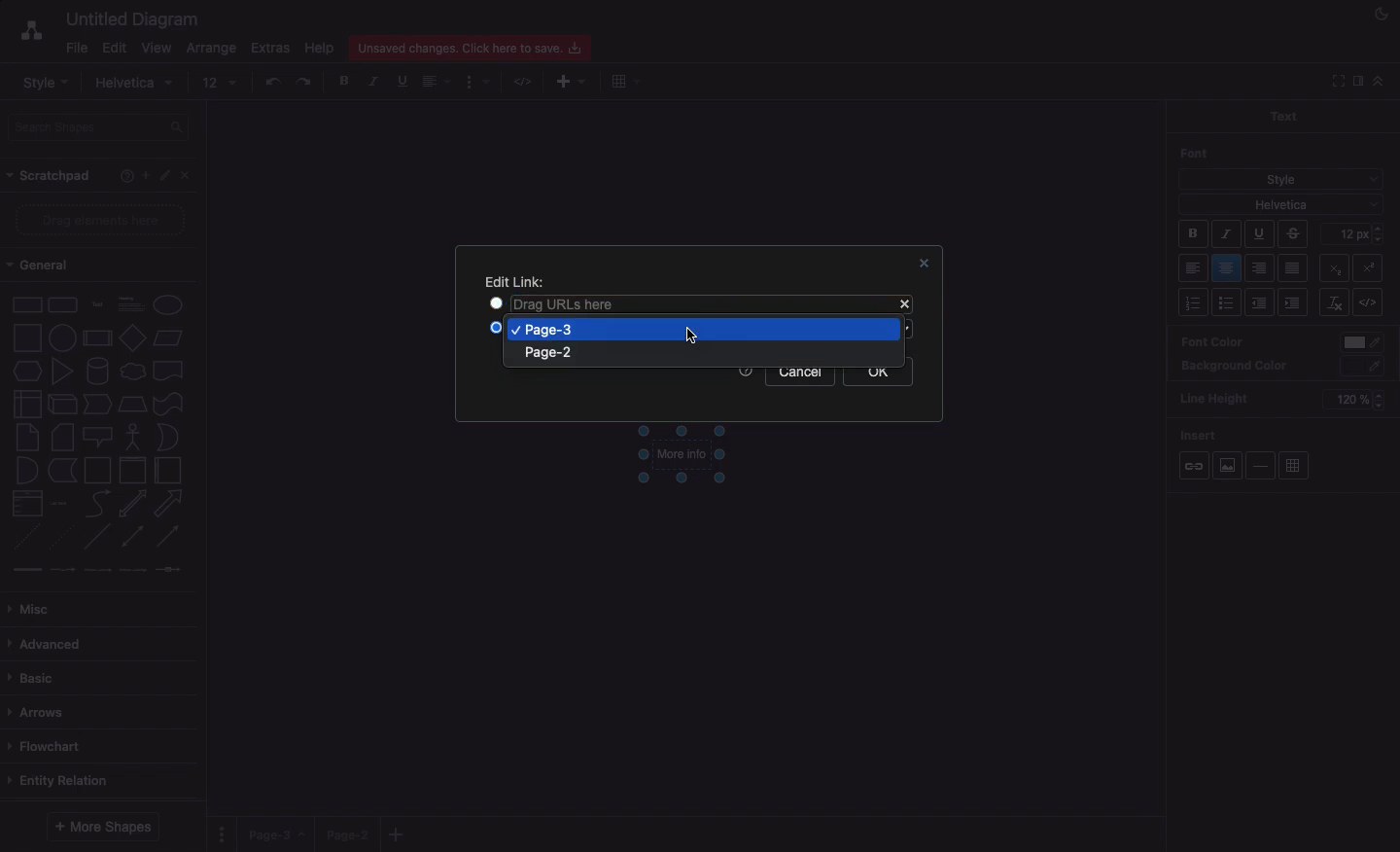 The width and height of the screenshot is (1400, 852). What do you see at coordinates (106, 826) in the screenshot?
I see `More shapes` at bounding box center [106, 826].